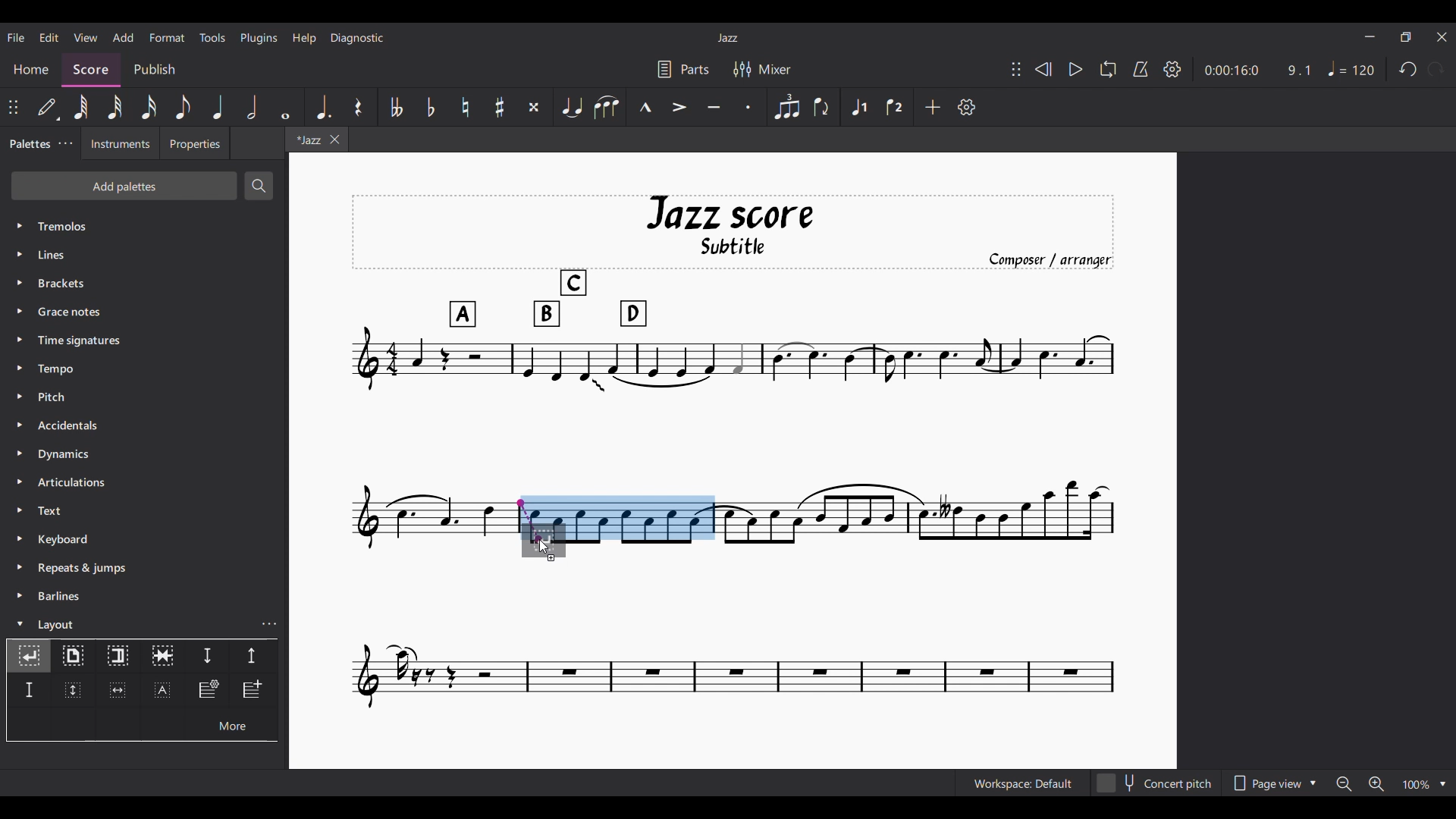 Image resolution: width=1456 pixels, height=819 pixels. I want to click on Properties, so click(195, 143).